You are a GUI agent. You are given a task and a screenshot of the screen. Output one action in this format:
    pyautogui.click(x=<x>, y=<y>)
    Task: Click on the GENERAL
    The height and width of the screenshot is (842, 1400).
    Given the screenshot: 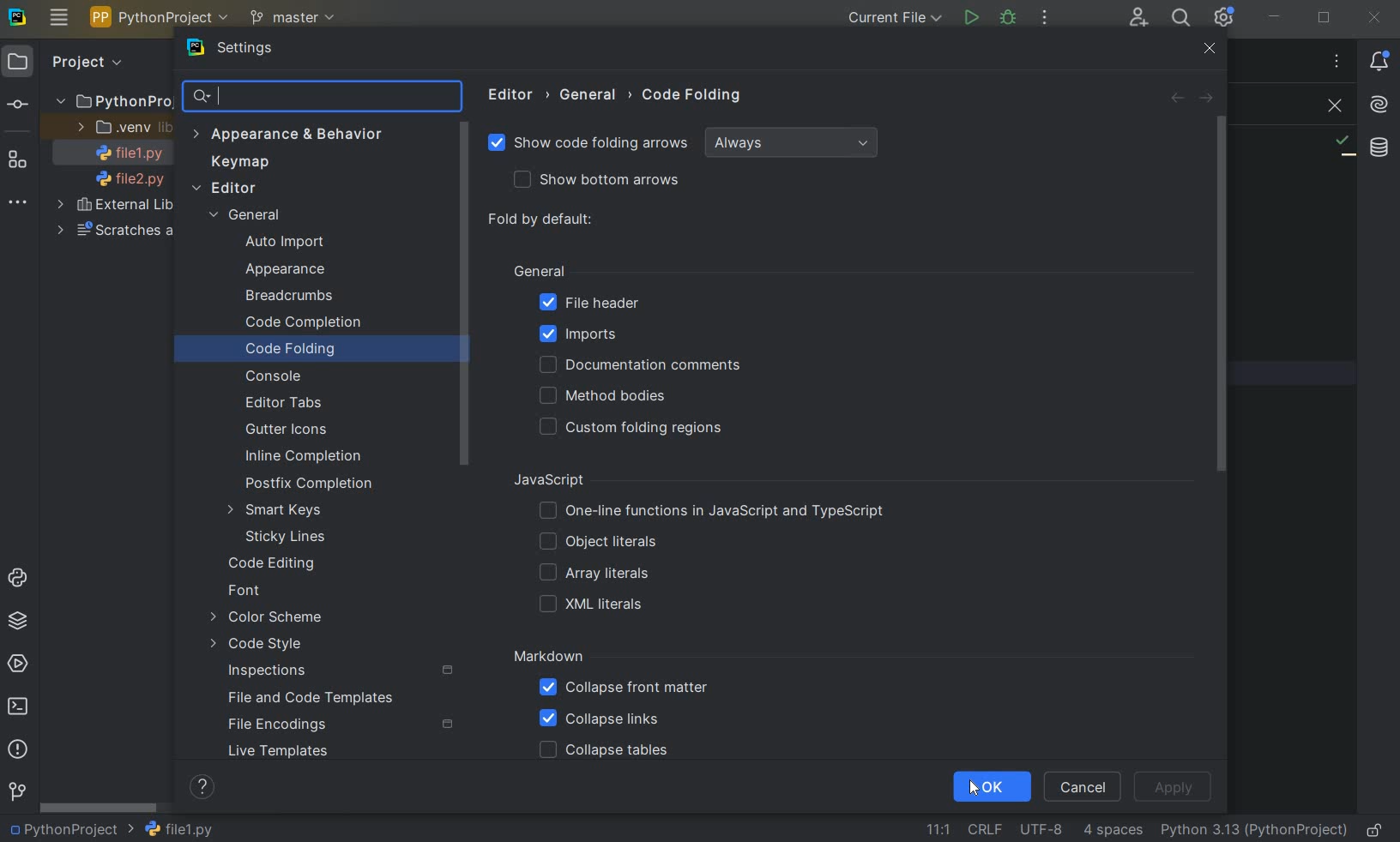 What is the action you would take?
    pyautogui.click(x=539, y=269)
    